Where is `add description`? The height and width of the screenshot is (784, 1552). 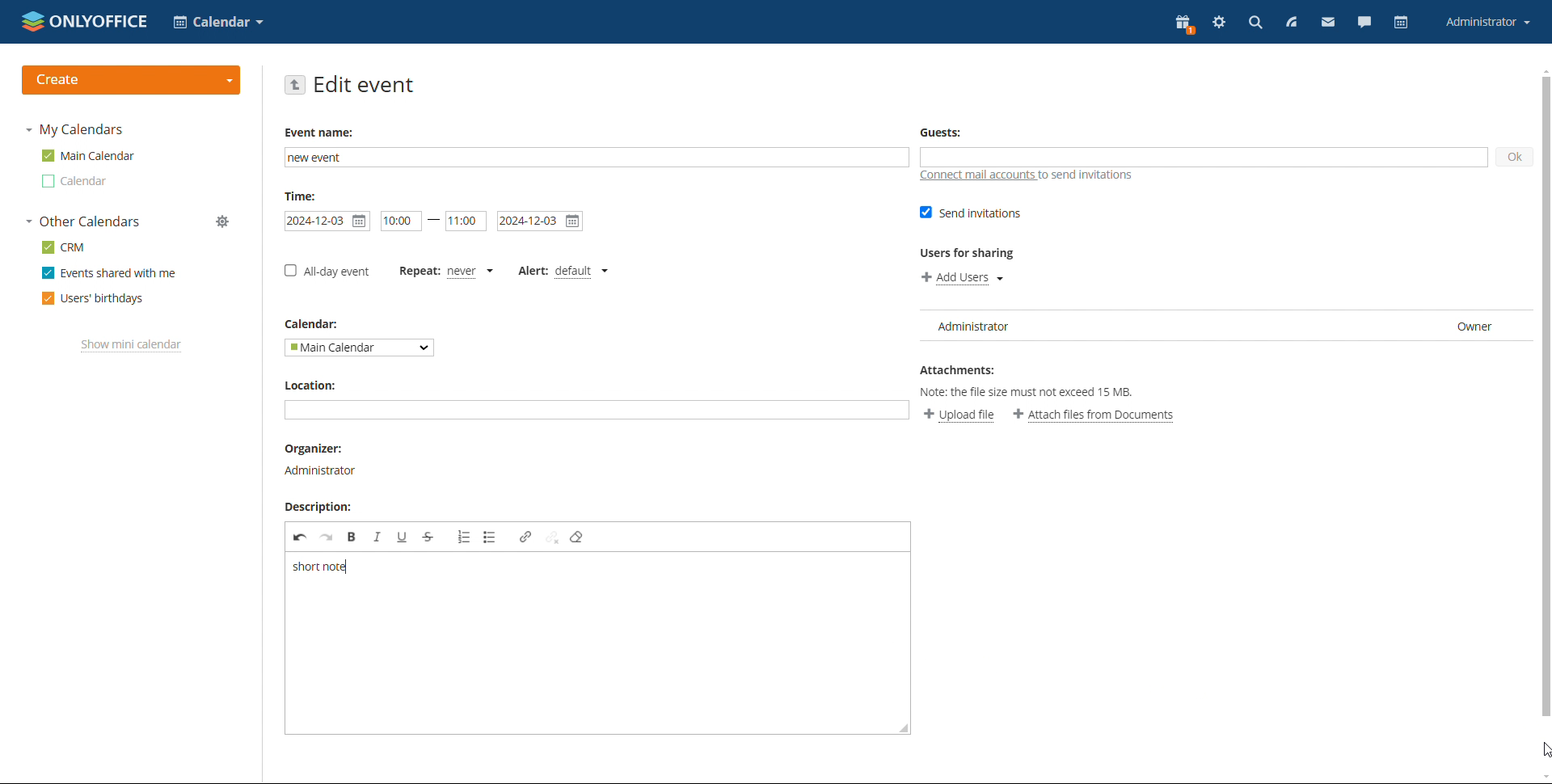
add description is located at coordinates (595, 644).